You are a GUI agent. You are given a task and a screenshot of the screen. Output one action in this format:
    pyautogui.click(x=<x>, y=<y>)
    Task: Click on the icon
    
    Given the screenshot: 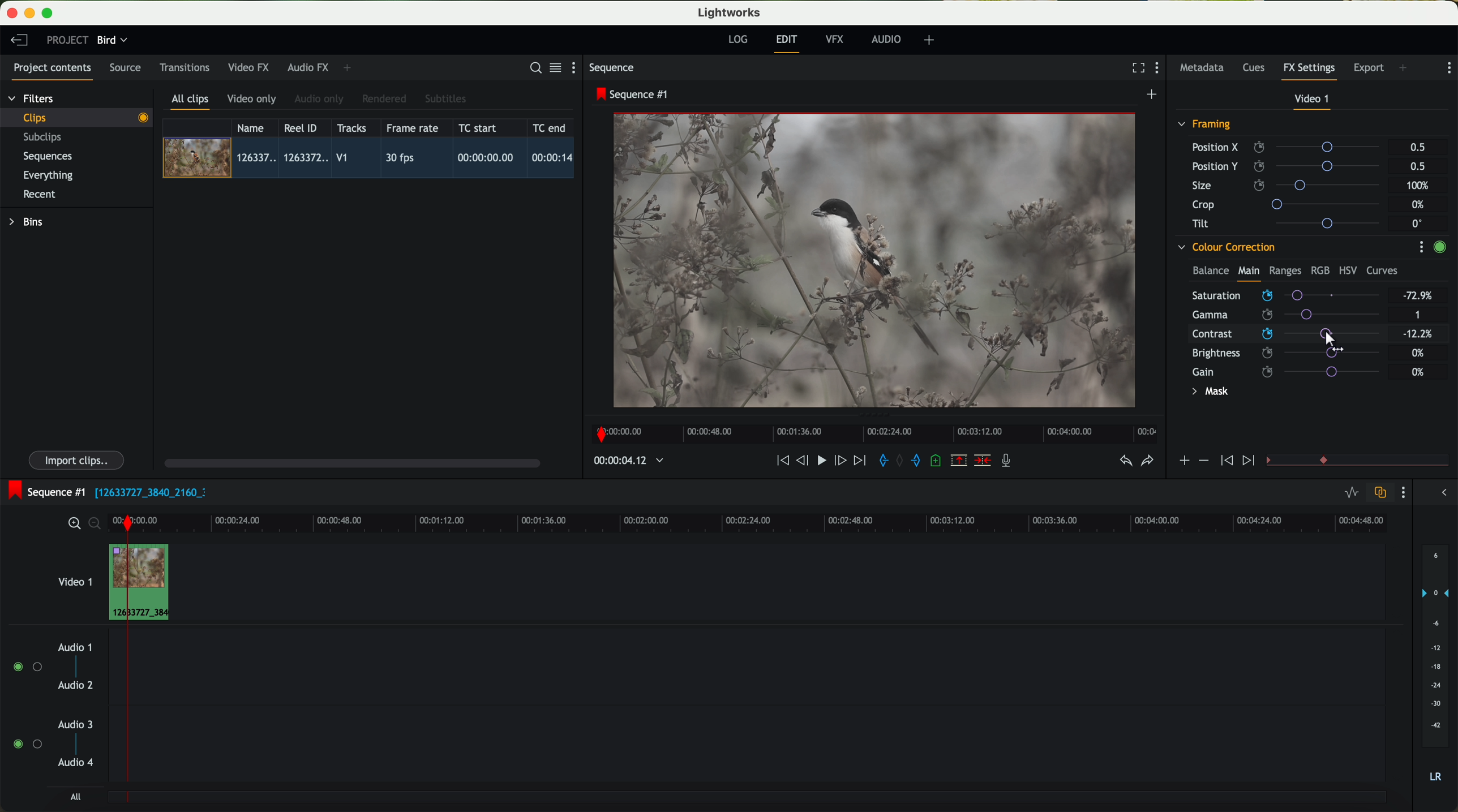 What is the action you would take?
    pyautogui.click(x=1203, y=461)
    